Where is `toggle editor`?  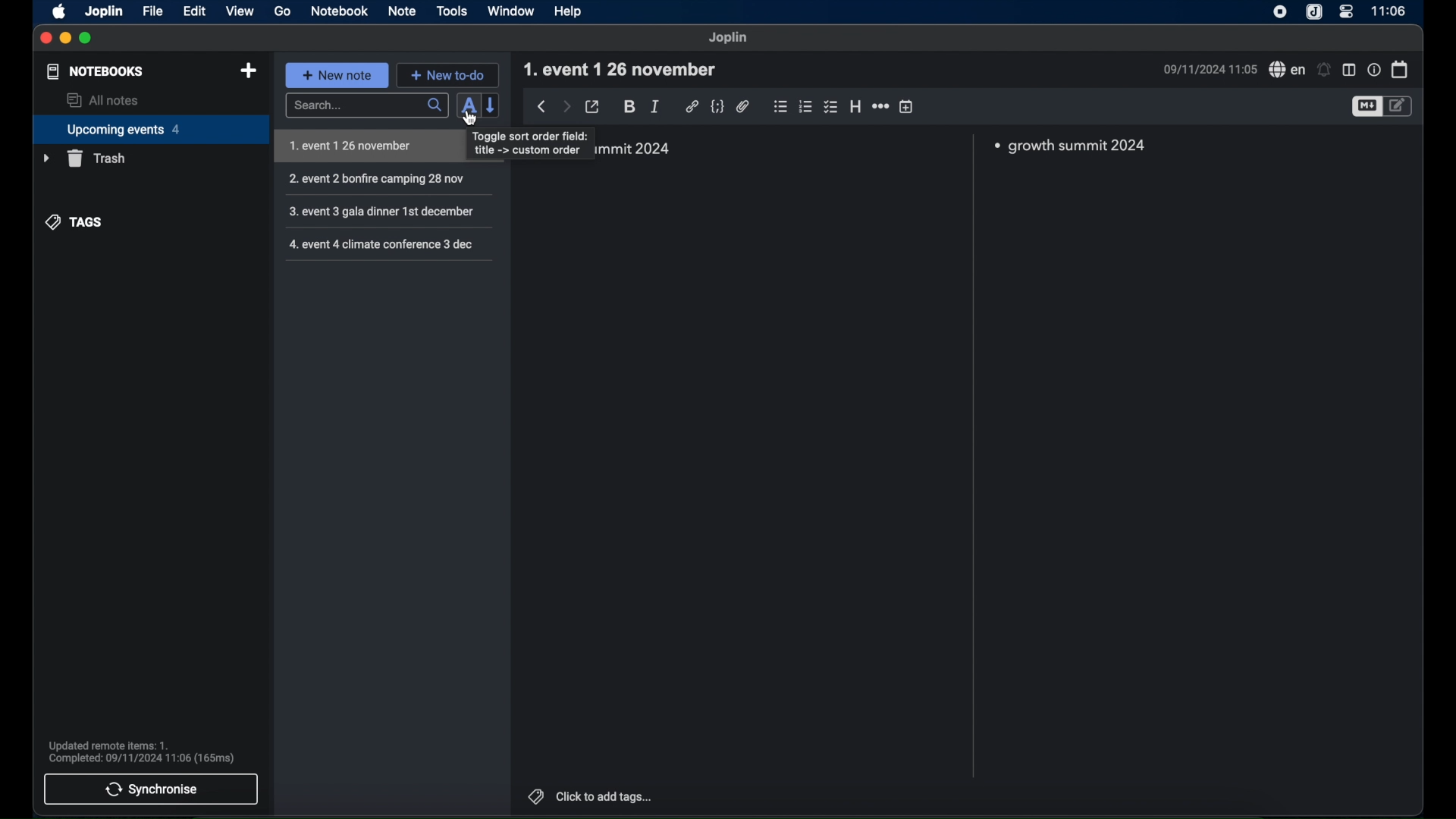 toggle editor is located at coordinates (1401, 106).